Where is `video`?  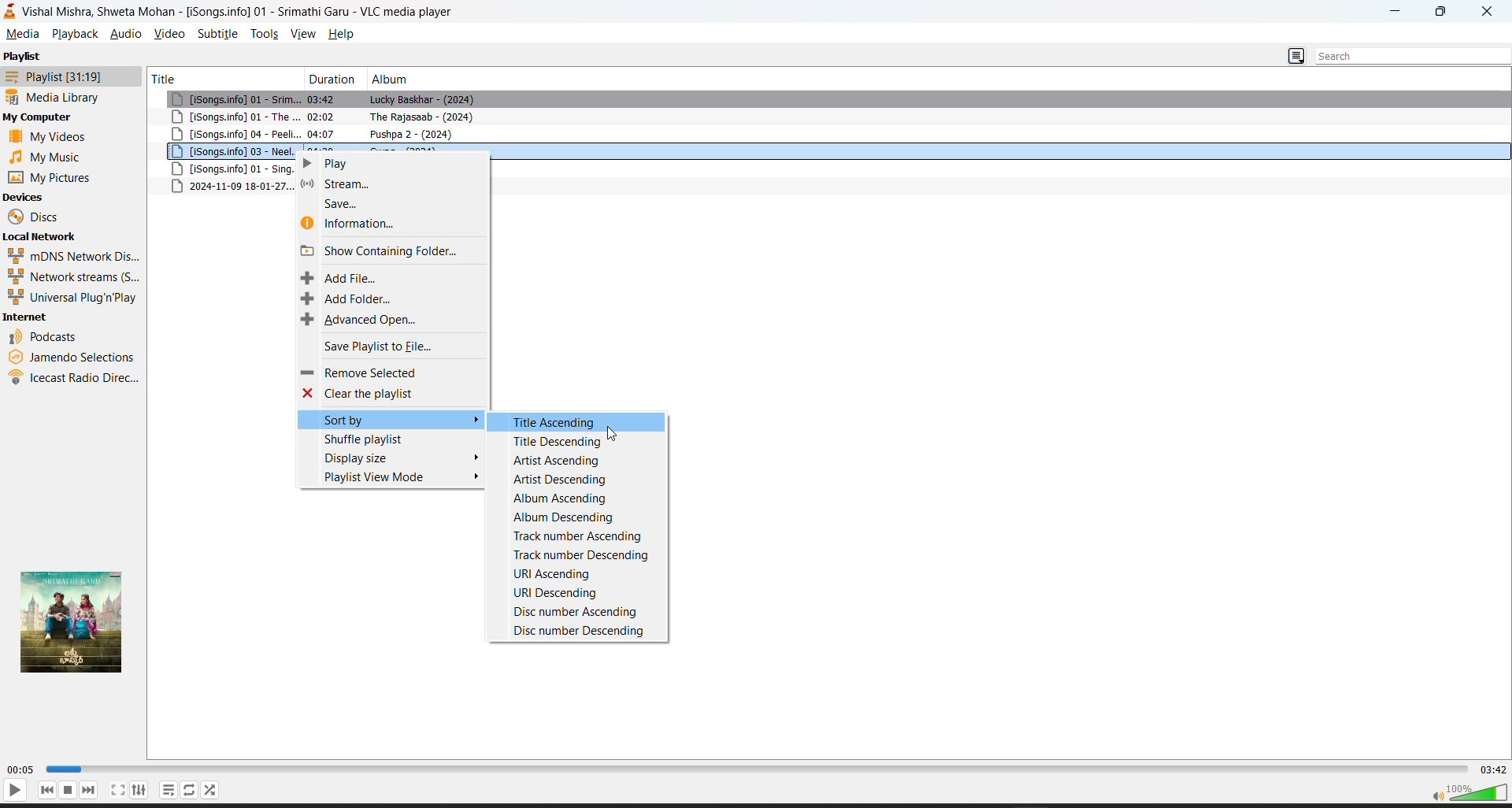 video is located at coordinates (169, 33).